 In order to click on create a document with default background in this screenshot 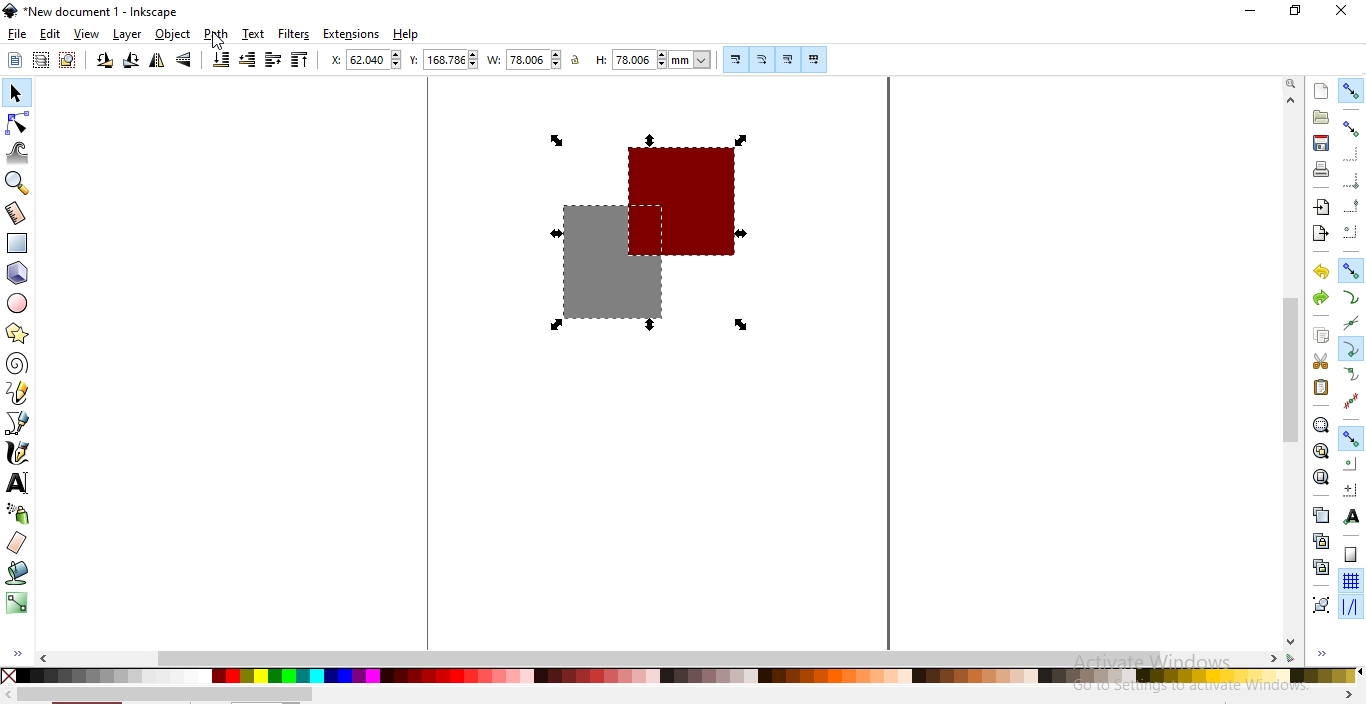, I will do `click(1321, 91)`.